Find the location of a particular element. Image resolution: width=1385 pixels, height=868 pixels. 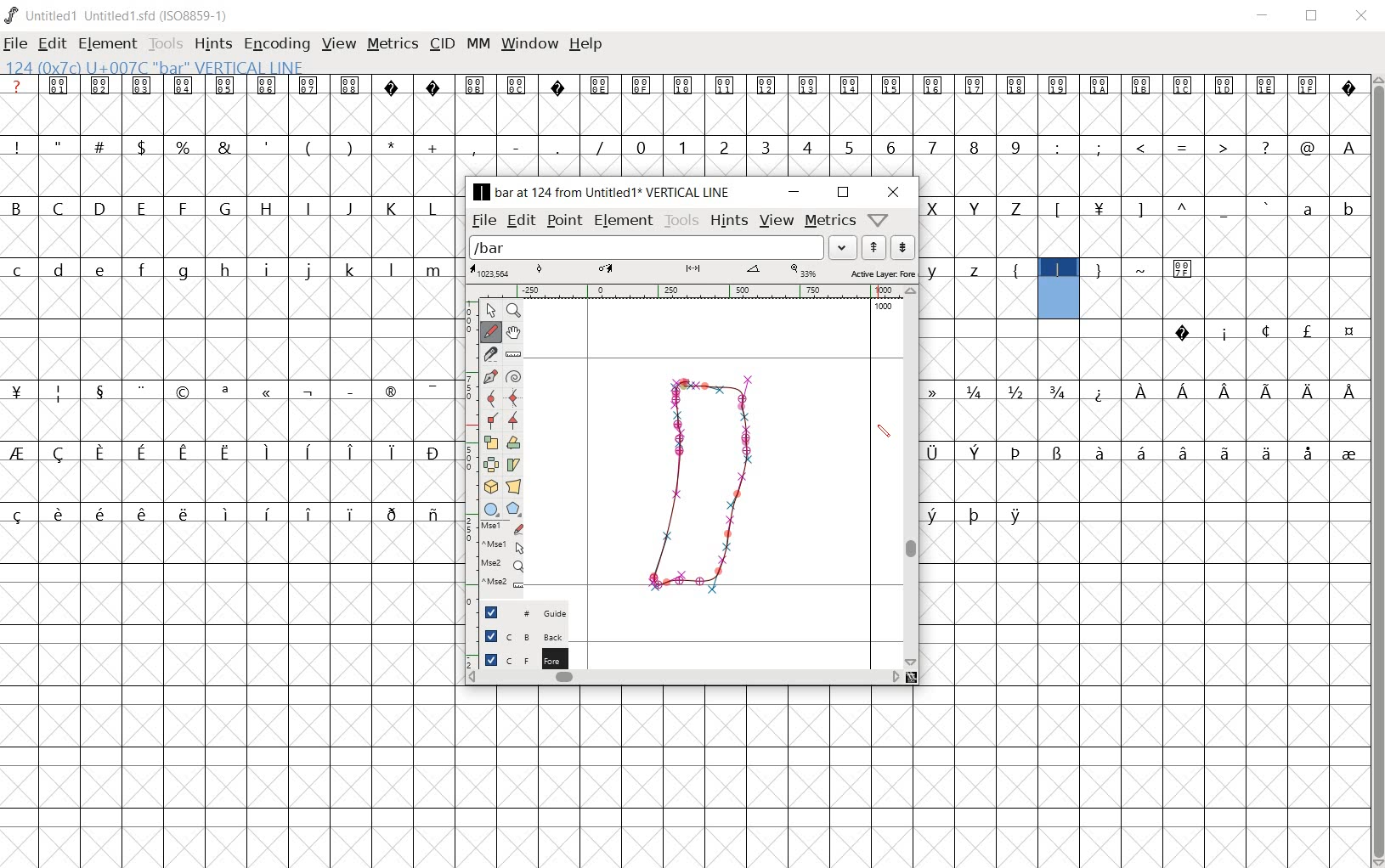

glyph for a vertical bar created is located at coordinates (704, 491).